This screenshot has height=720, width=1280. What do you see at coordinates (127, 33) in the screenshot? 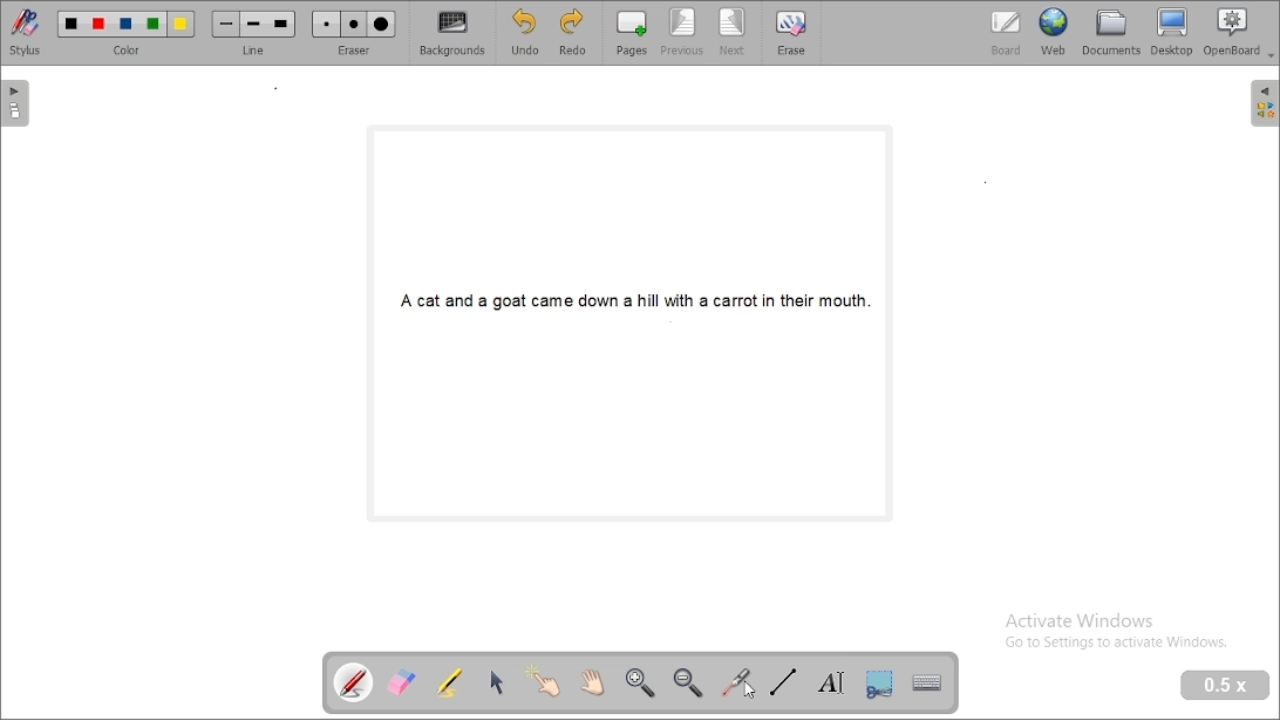
I see `color` at bounding box center [127, 33].